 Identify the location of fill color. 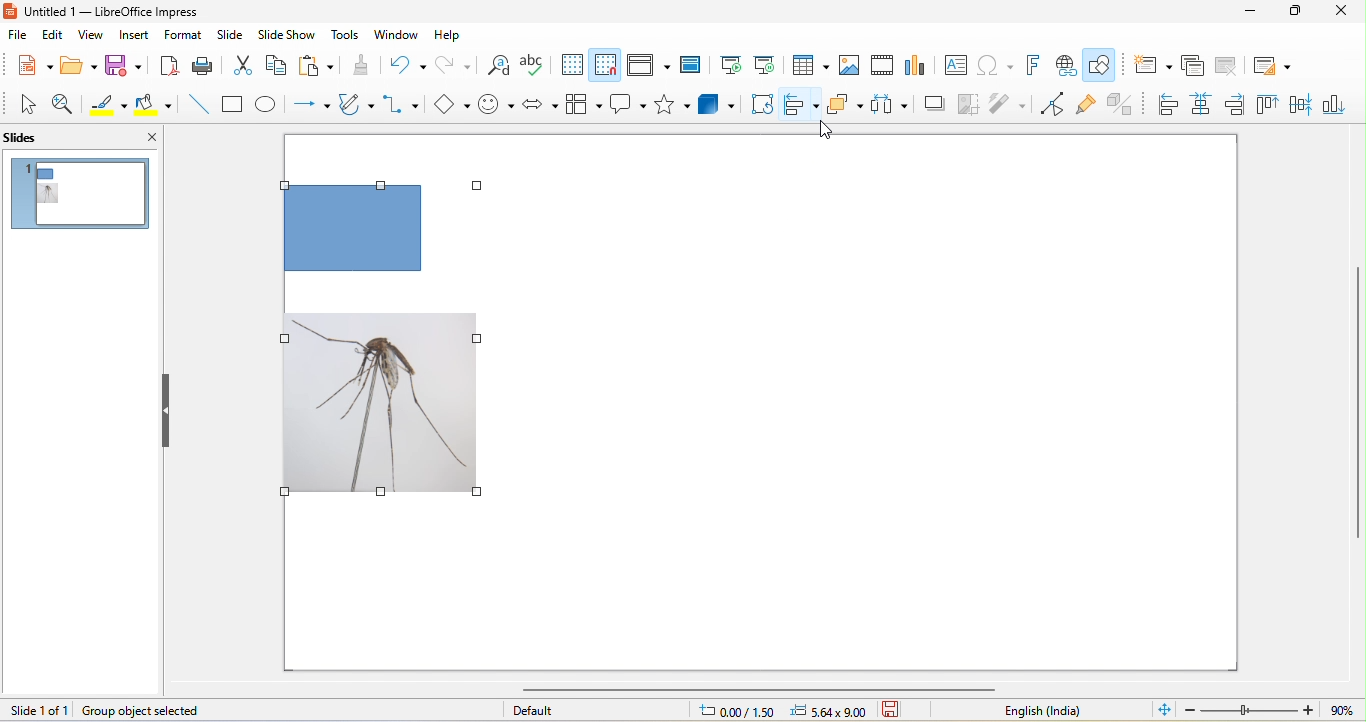
(158, 105).